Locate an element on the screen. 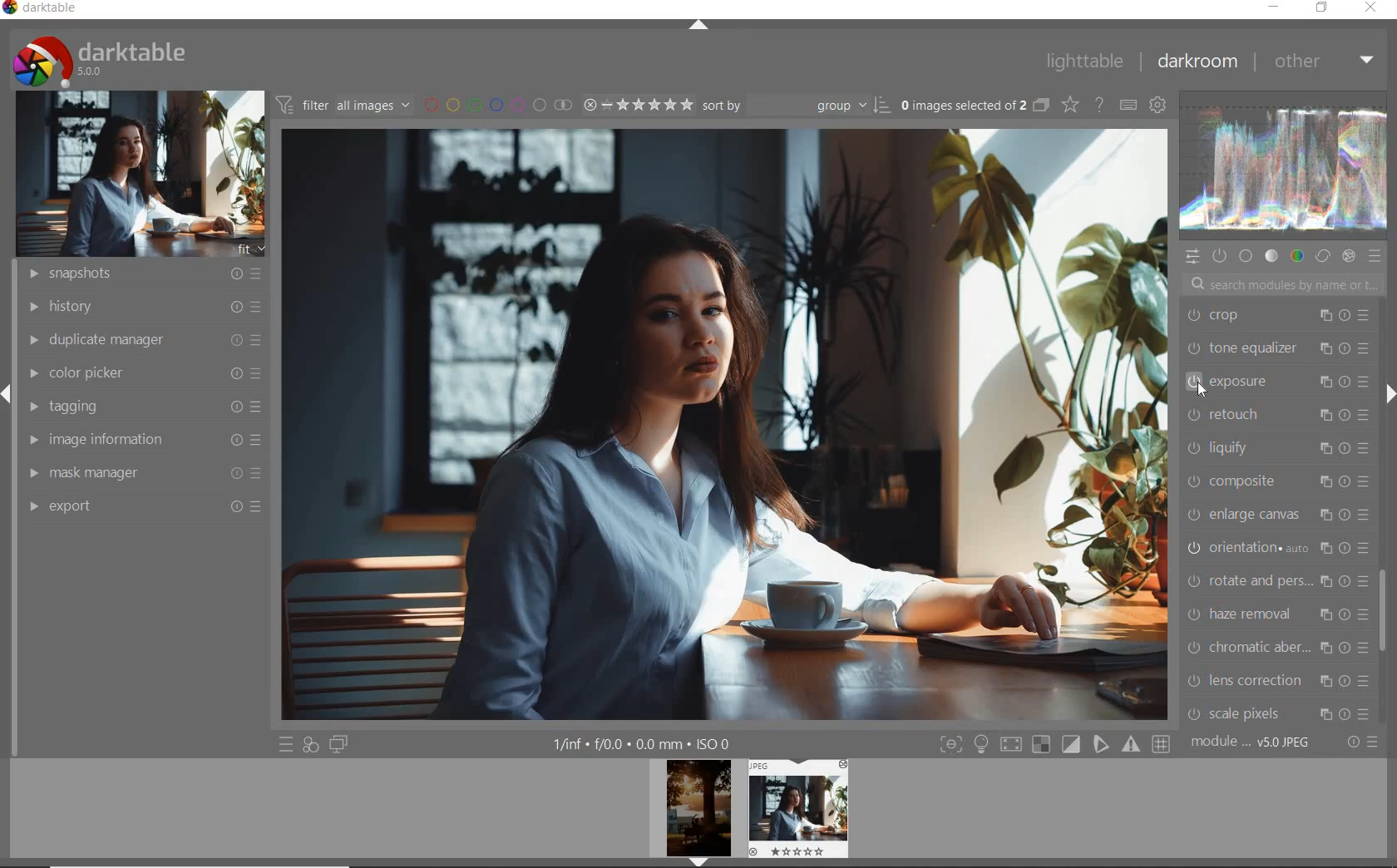  HAZE REMOVAL is located at coordinates (1278, 614).